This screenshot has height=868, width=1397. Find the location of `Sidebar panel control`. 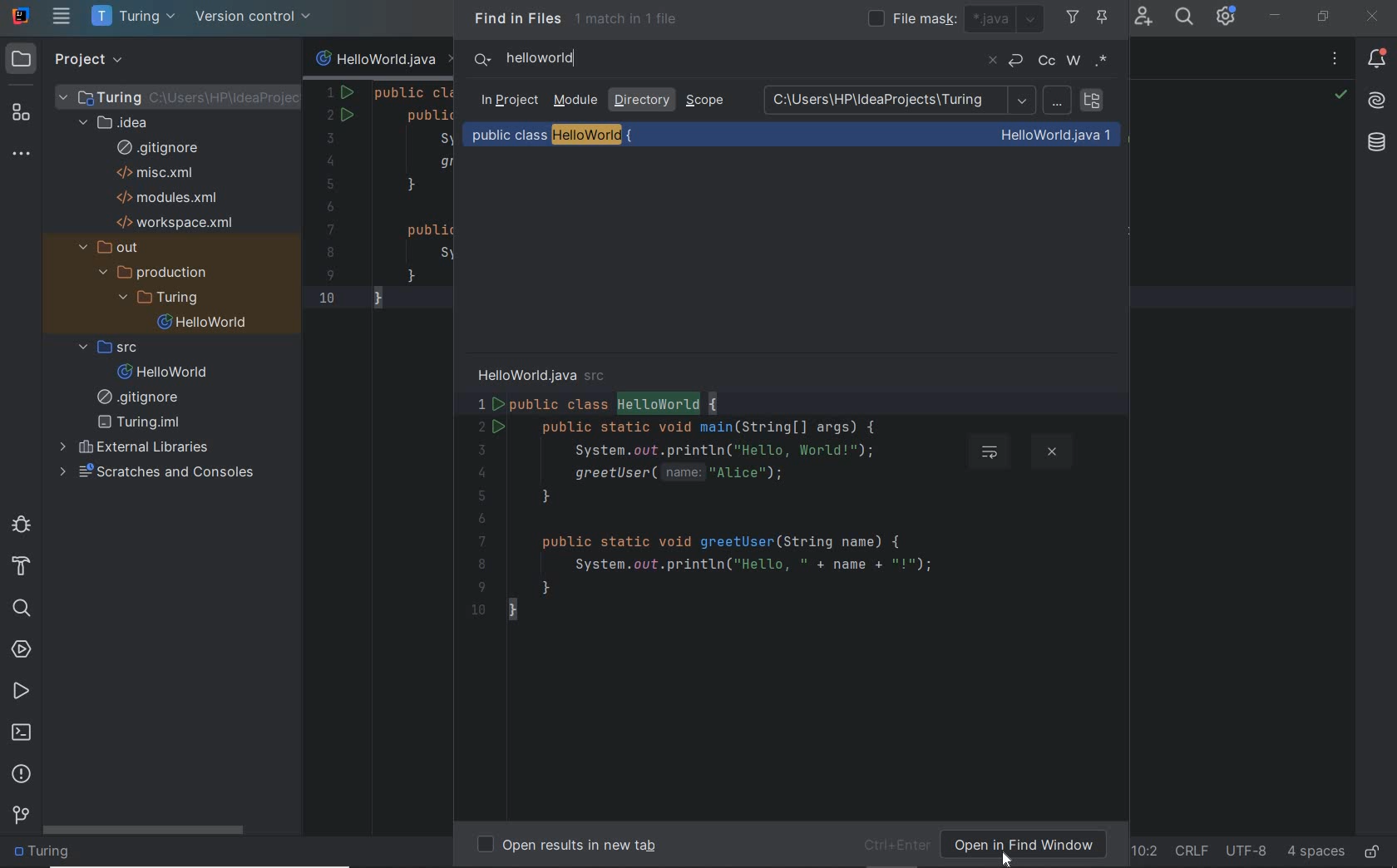

Sidebar panel control is located at coordinates (224, 60).